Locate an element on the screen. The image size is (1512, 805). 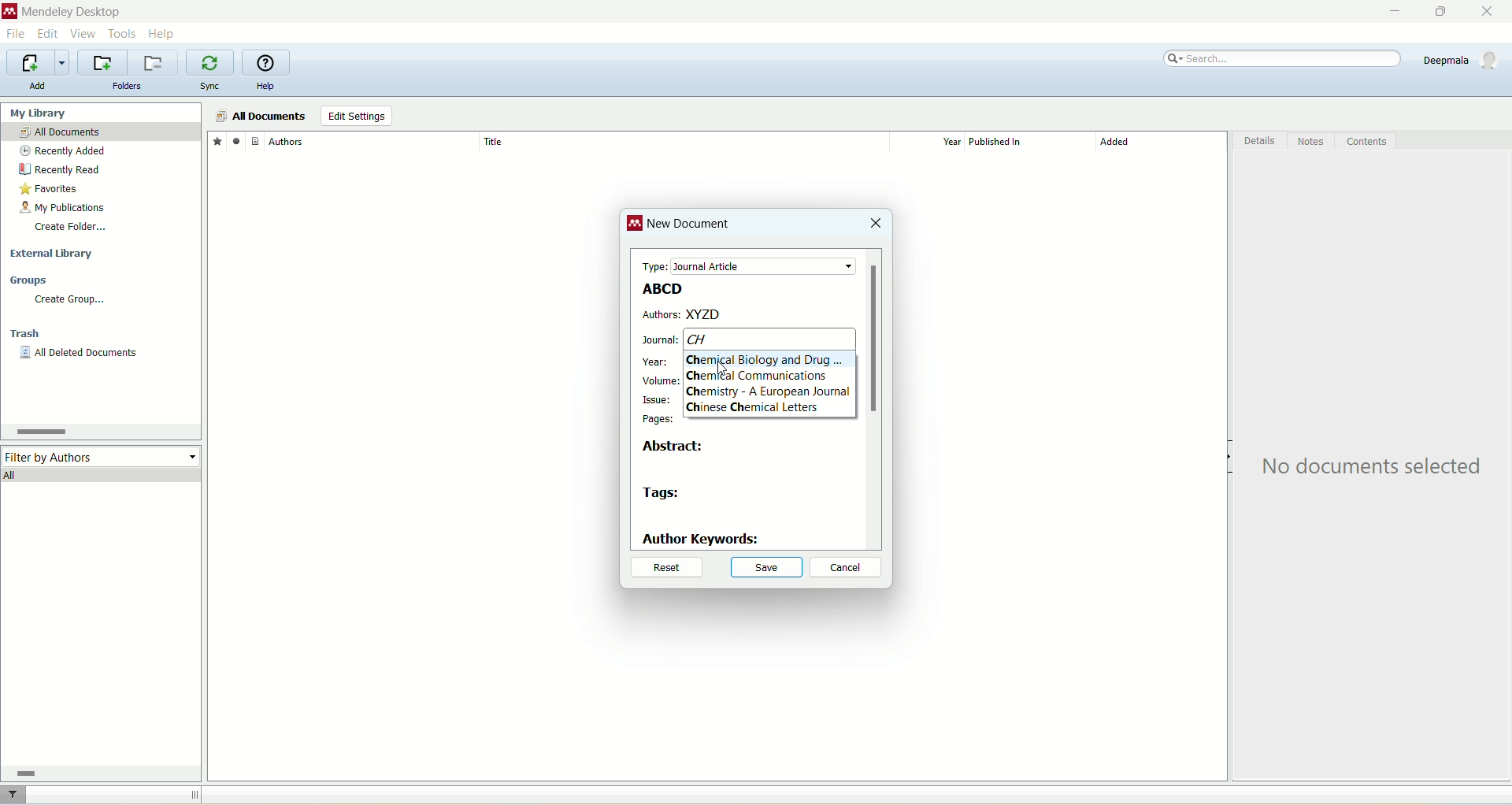
folders is located at coordinates (128, 87).